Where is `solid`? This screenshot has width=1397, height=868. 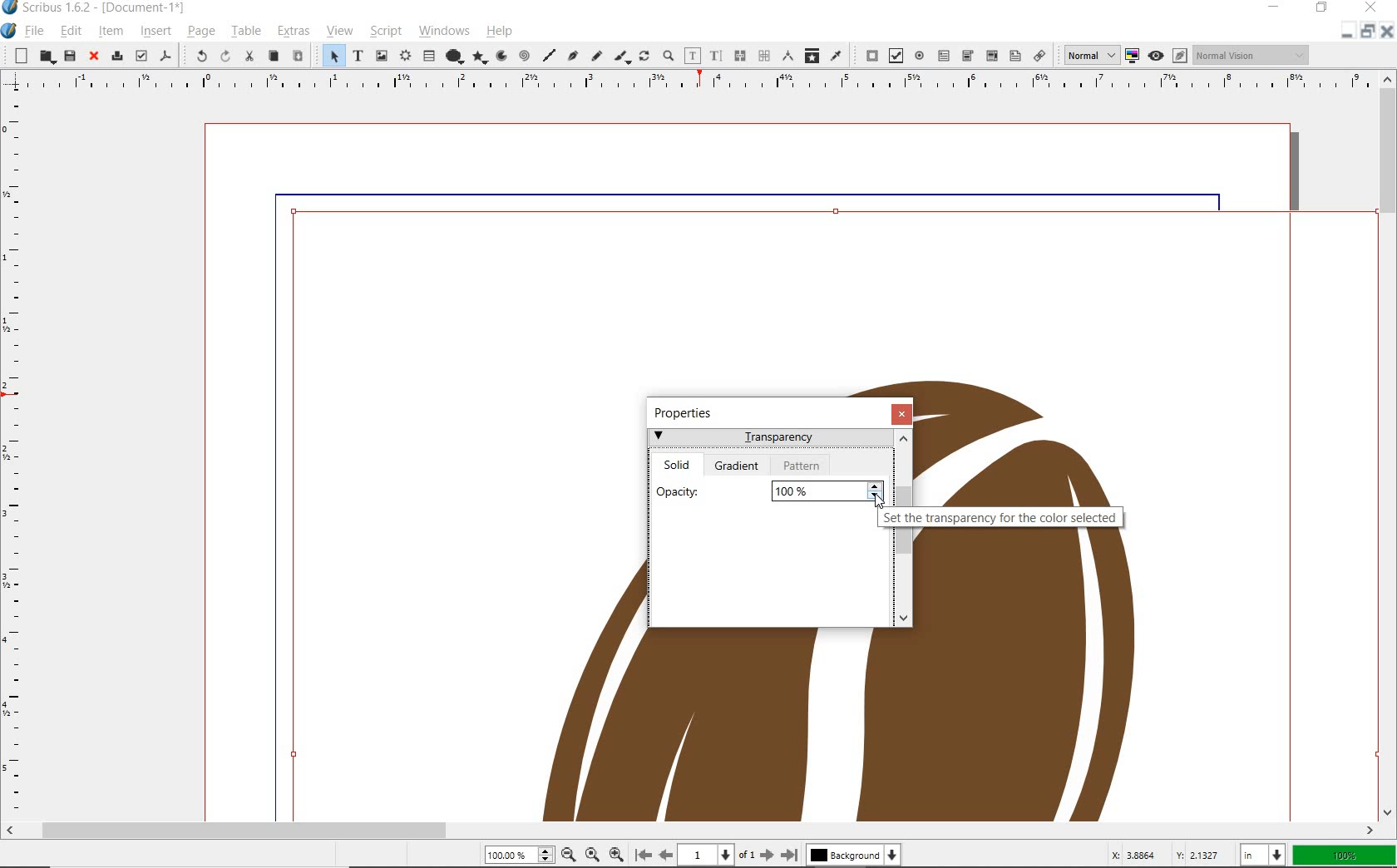
solid is located at coordinates (679, 462).